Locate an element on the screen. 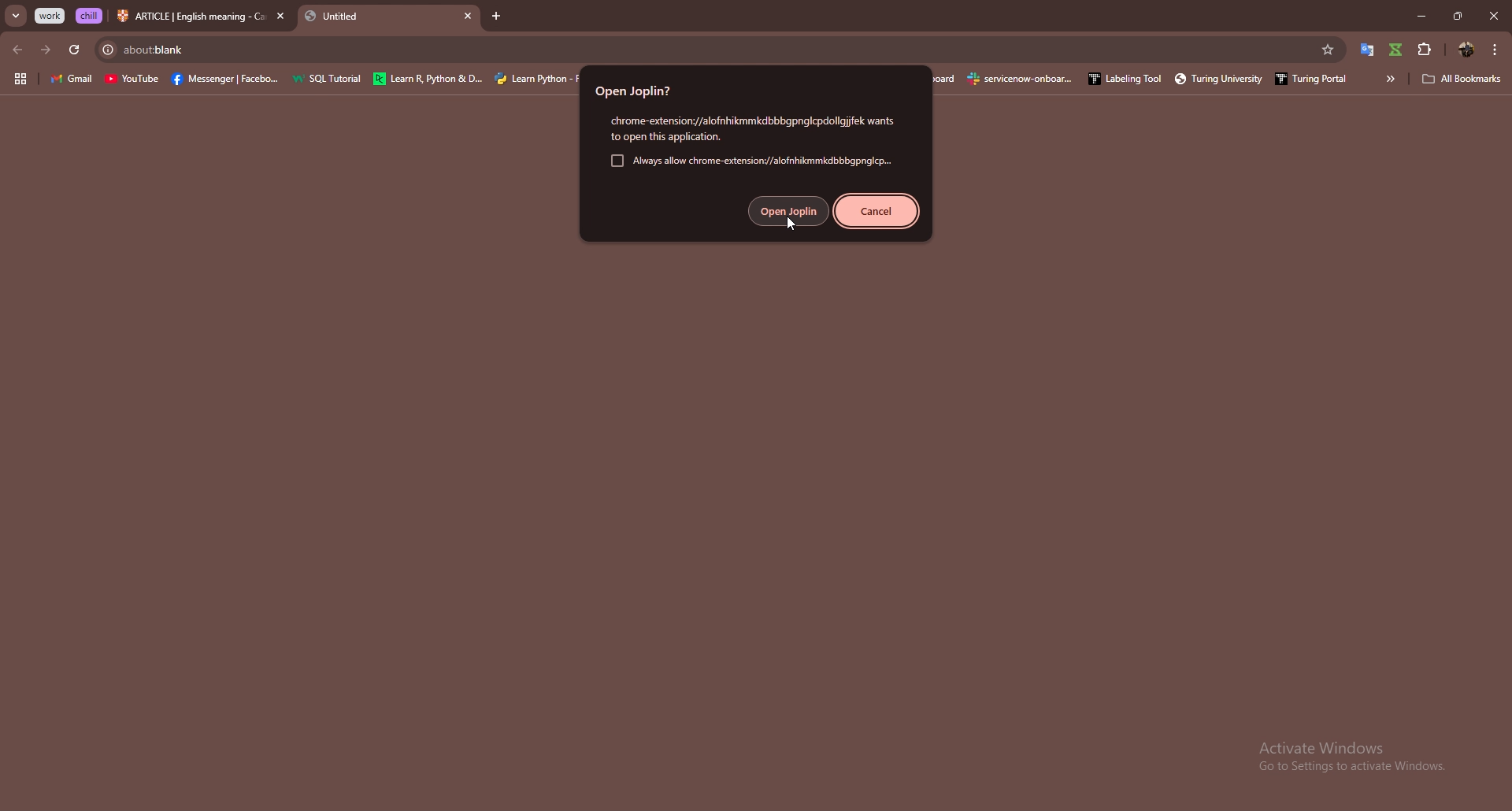  open joplin? is located at coordinates (642, 90).